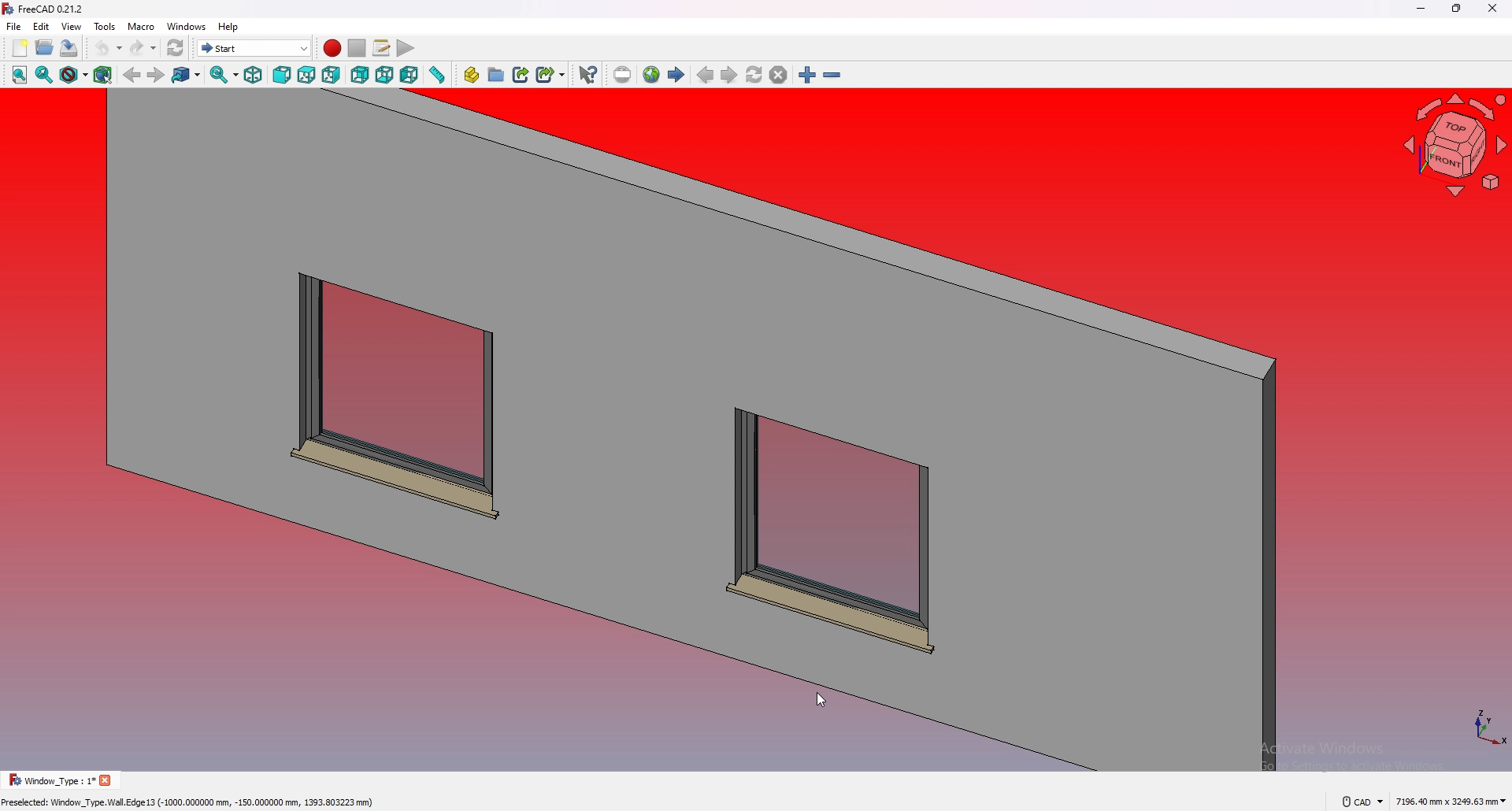 Image resolution: width=1512 pixels, height=811 pixels. Describe the element at coordinates (1457, 9) in the screenshot. I see `resize` at that location.